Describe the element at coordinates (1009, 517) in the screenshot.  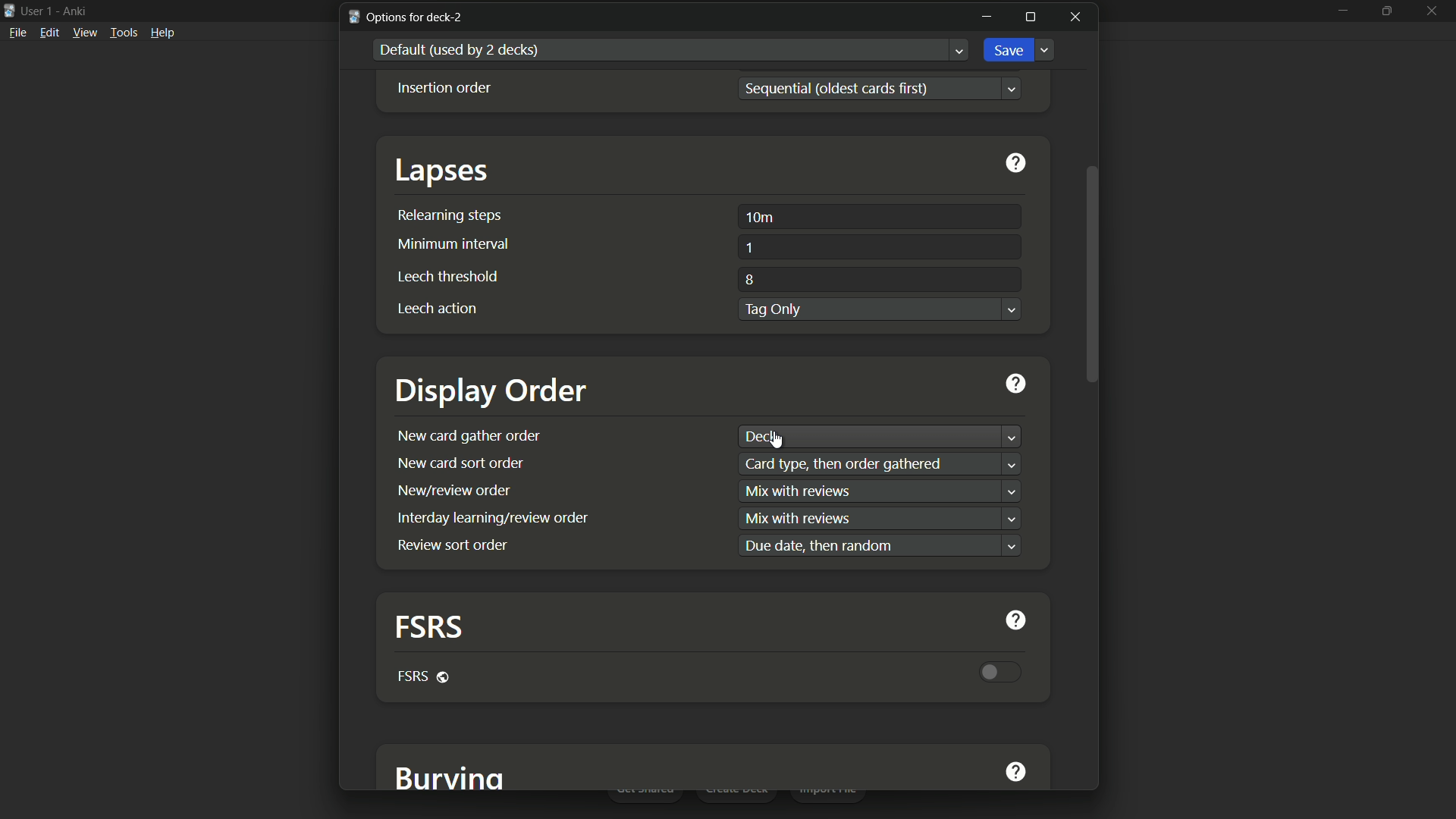
I see `dropdown` at that location.